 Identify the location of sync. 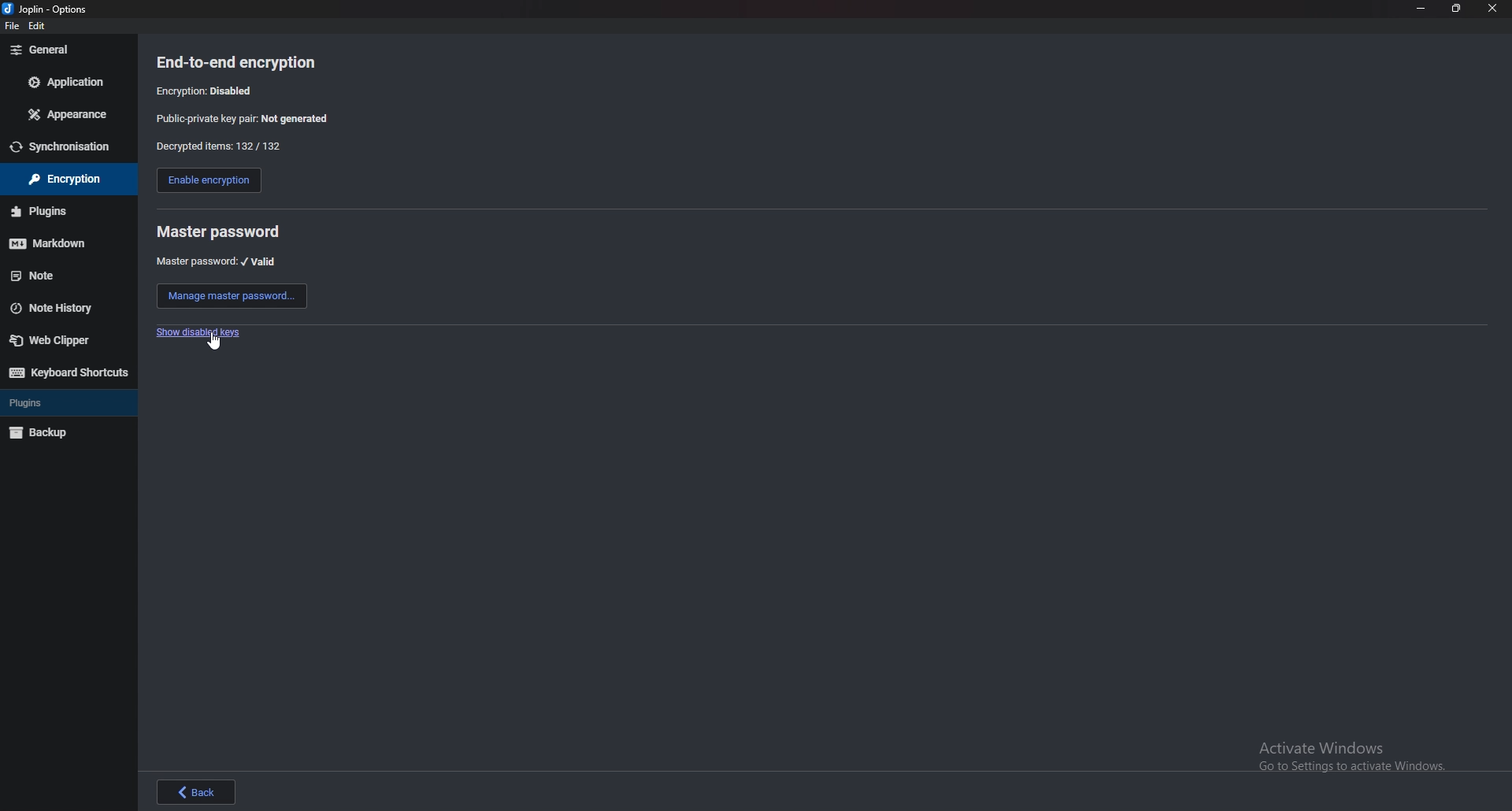
(66, 147).